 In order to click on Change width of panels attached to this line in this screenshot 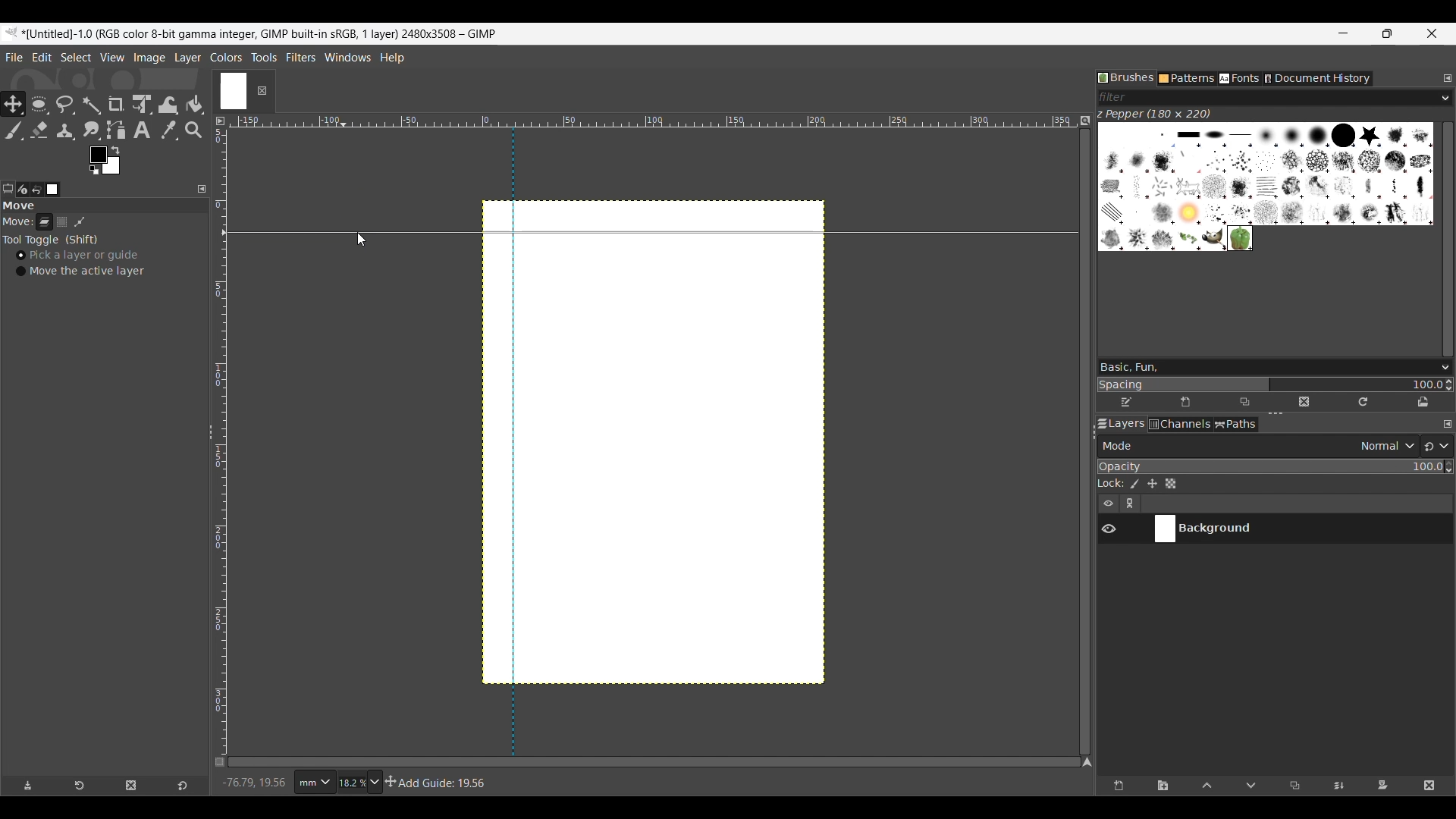, I will do `click(1069, 432)`.